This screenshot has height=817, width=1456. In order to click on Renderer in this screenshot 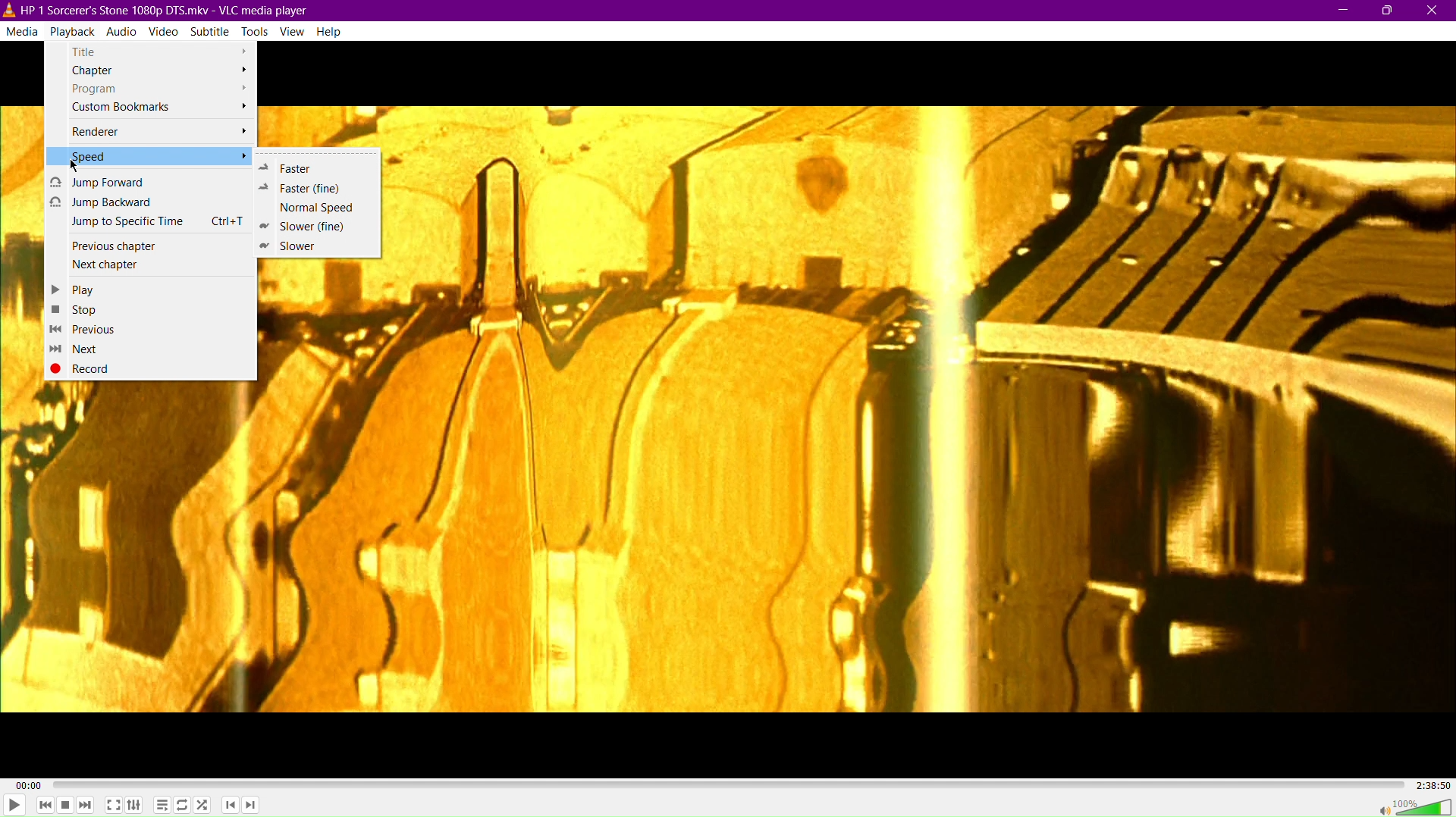, I will do `click(155, 132)`.